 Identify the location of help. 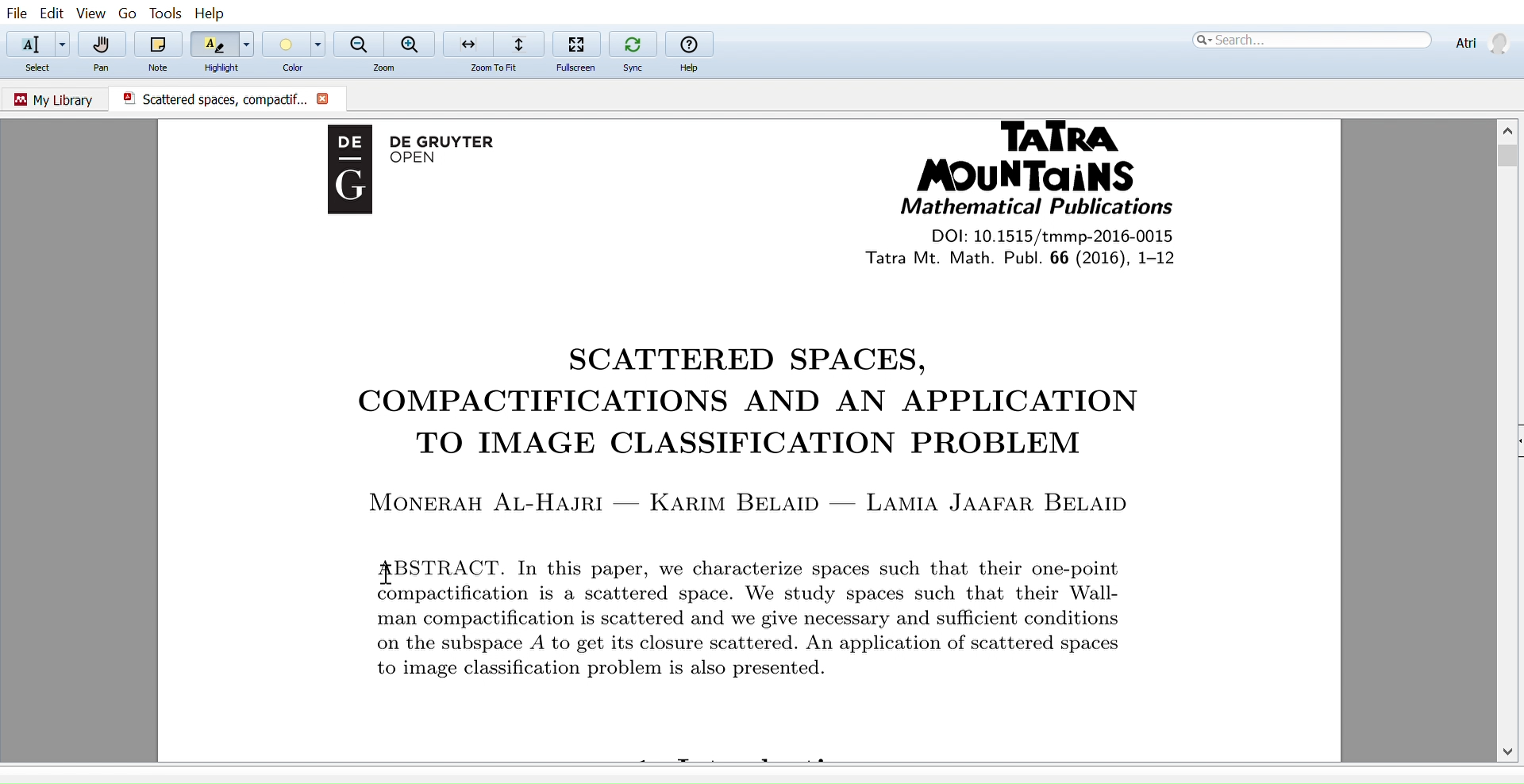
(689, 44).